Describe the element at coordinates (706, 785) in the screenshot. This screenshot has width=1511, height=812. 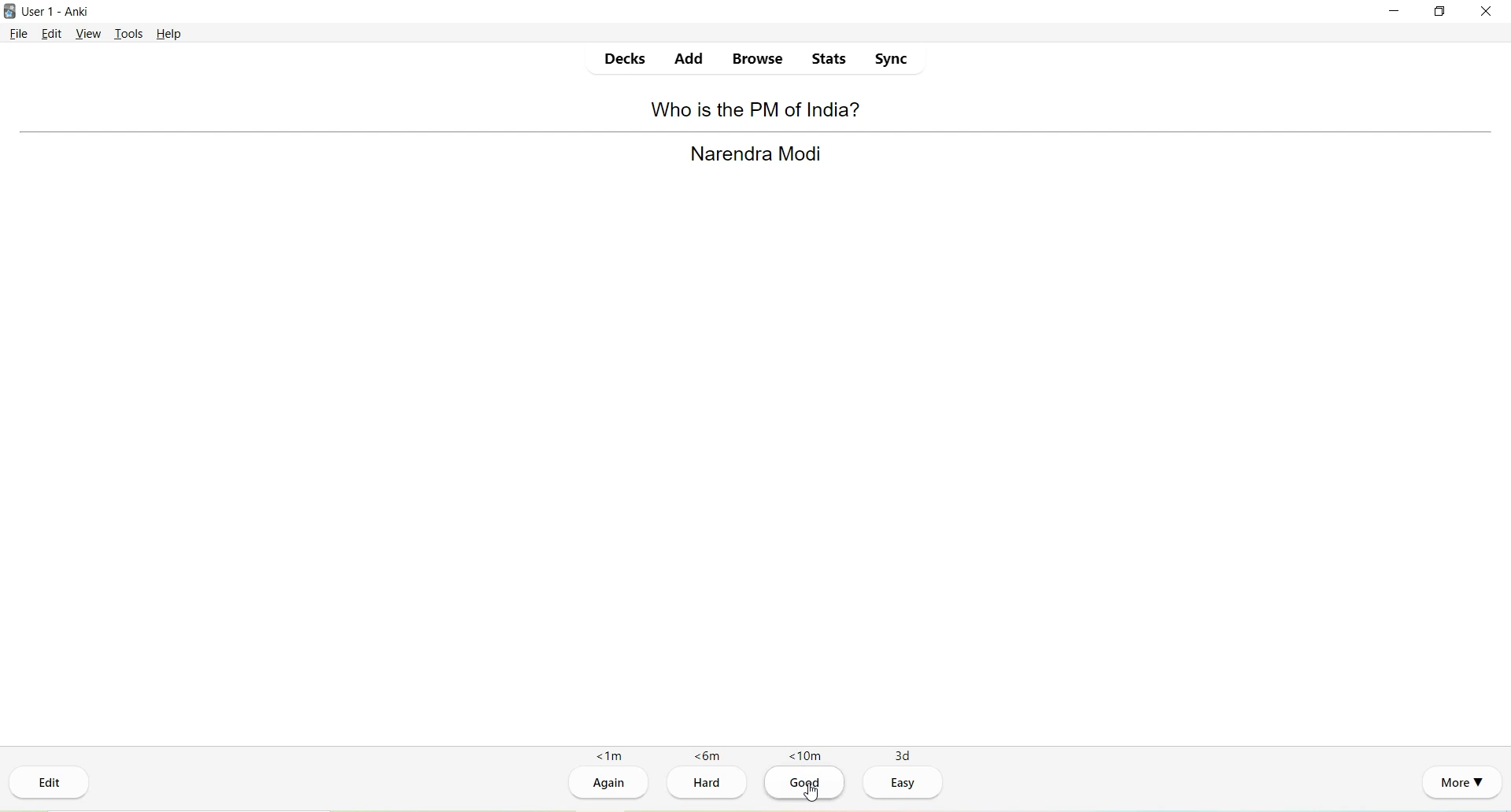
I see `Hard` at that location.